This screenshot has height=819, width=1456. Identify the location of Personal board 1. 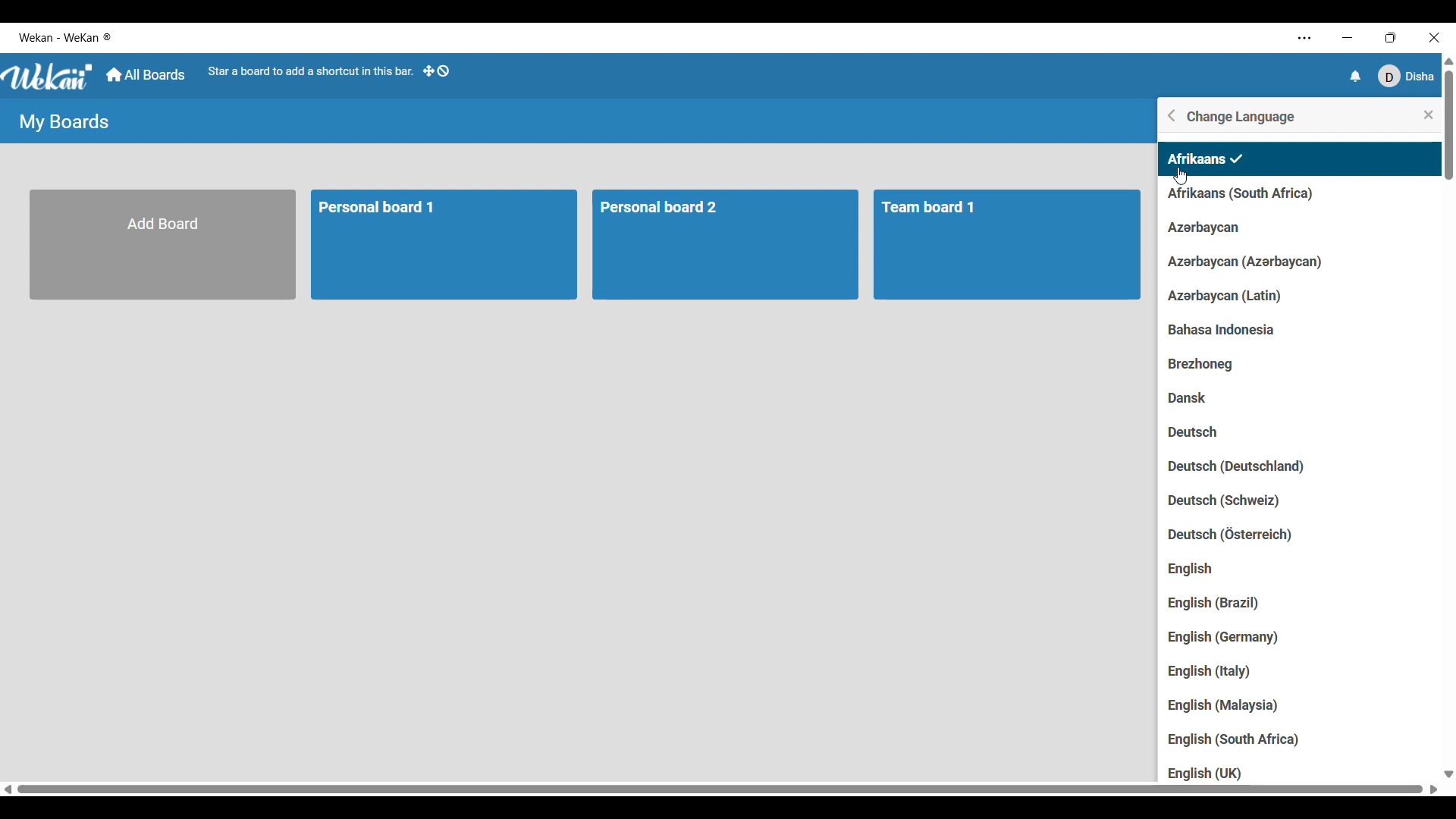
(446, 246).